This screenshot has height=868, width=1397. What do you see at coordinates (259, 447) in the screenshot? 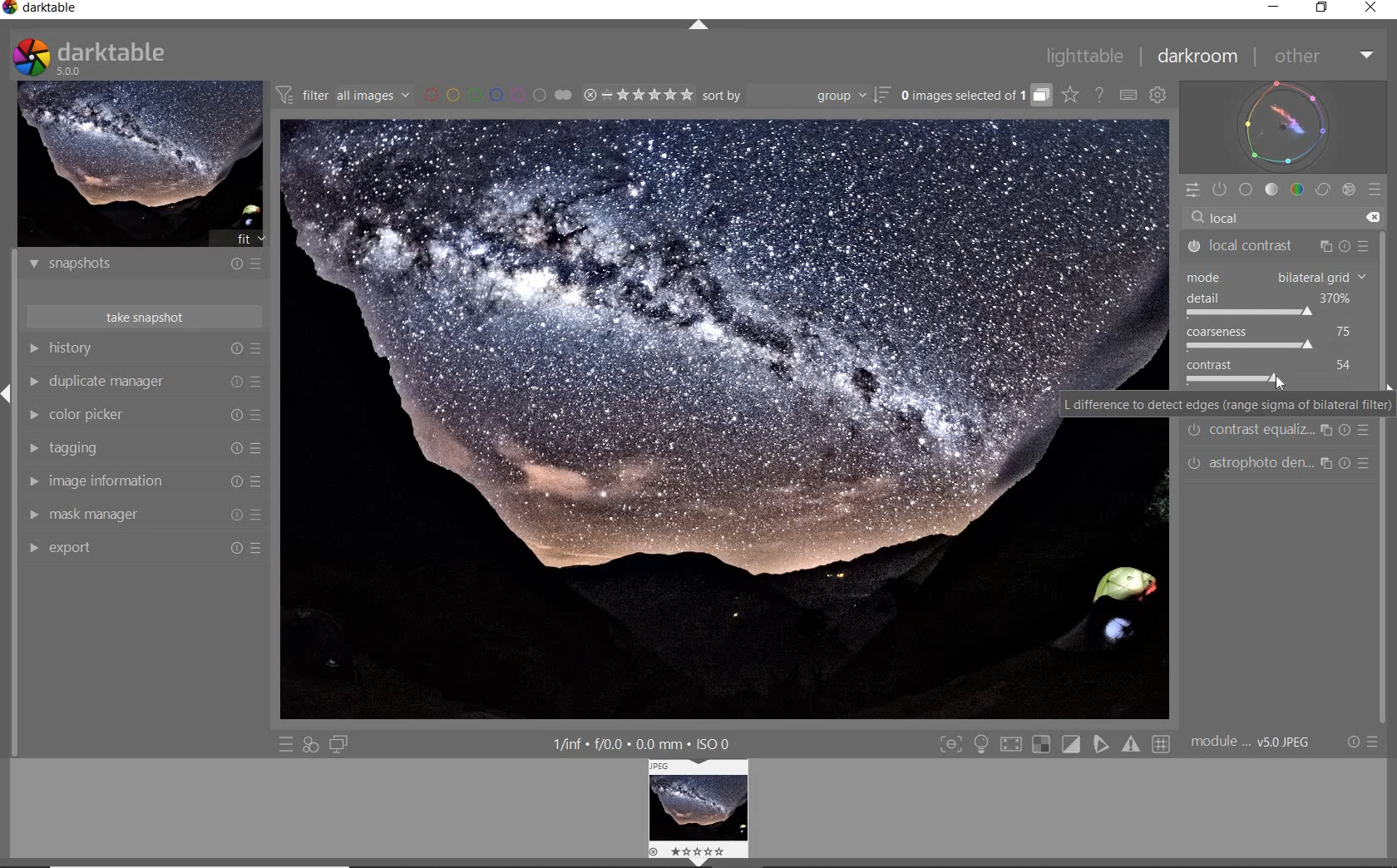
I see `Presets and preferences` at bounding box center [259, 447].